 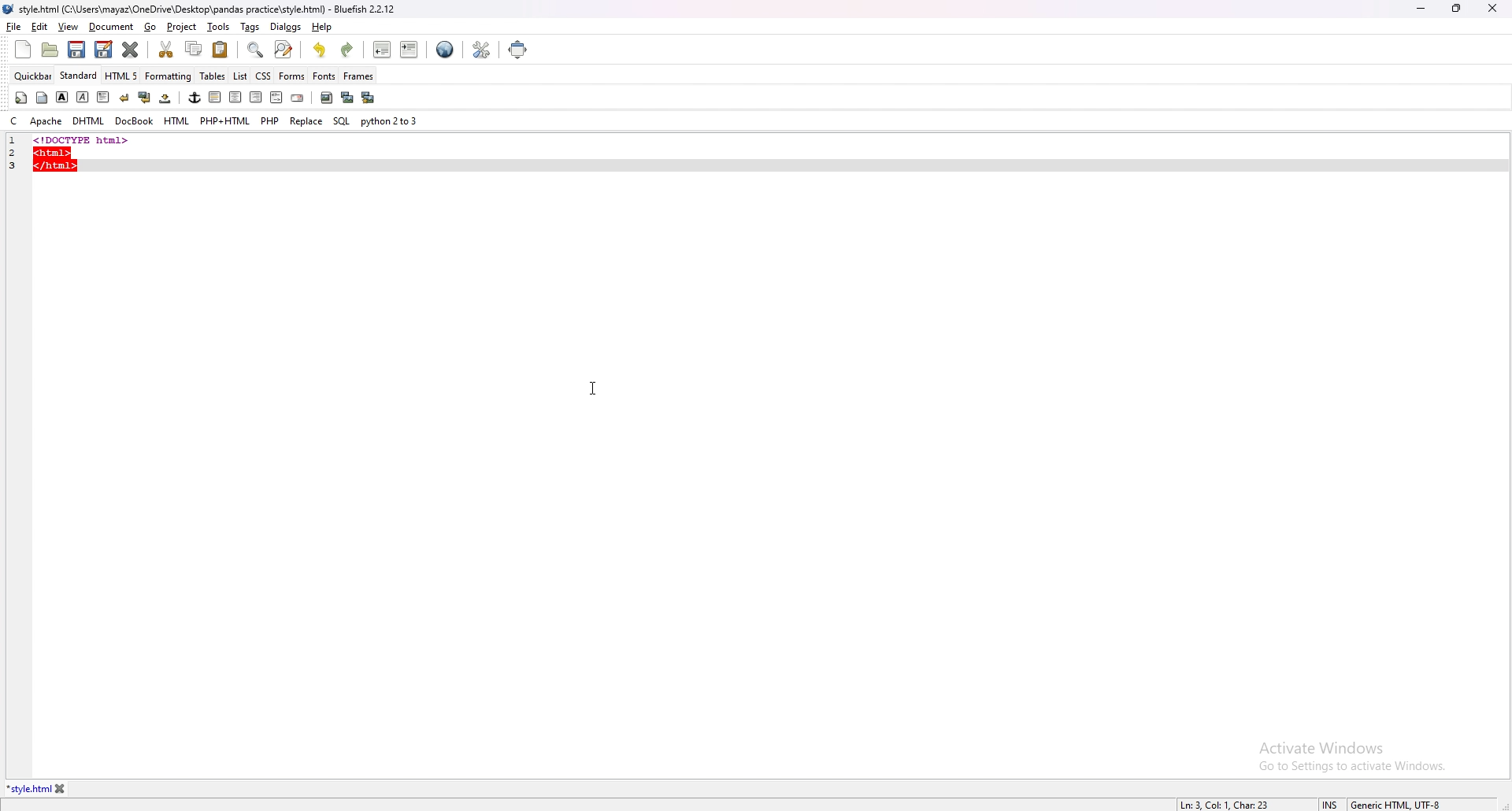 I want to click on forms, so click(x=292, y=75).